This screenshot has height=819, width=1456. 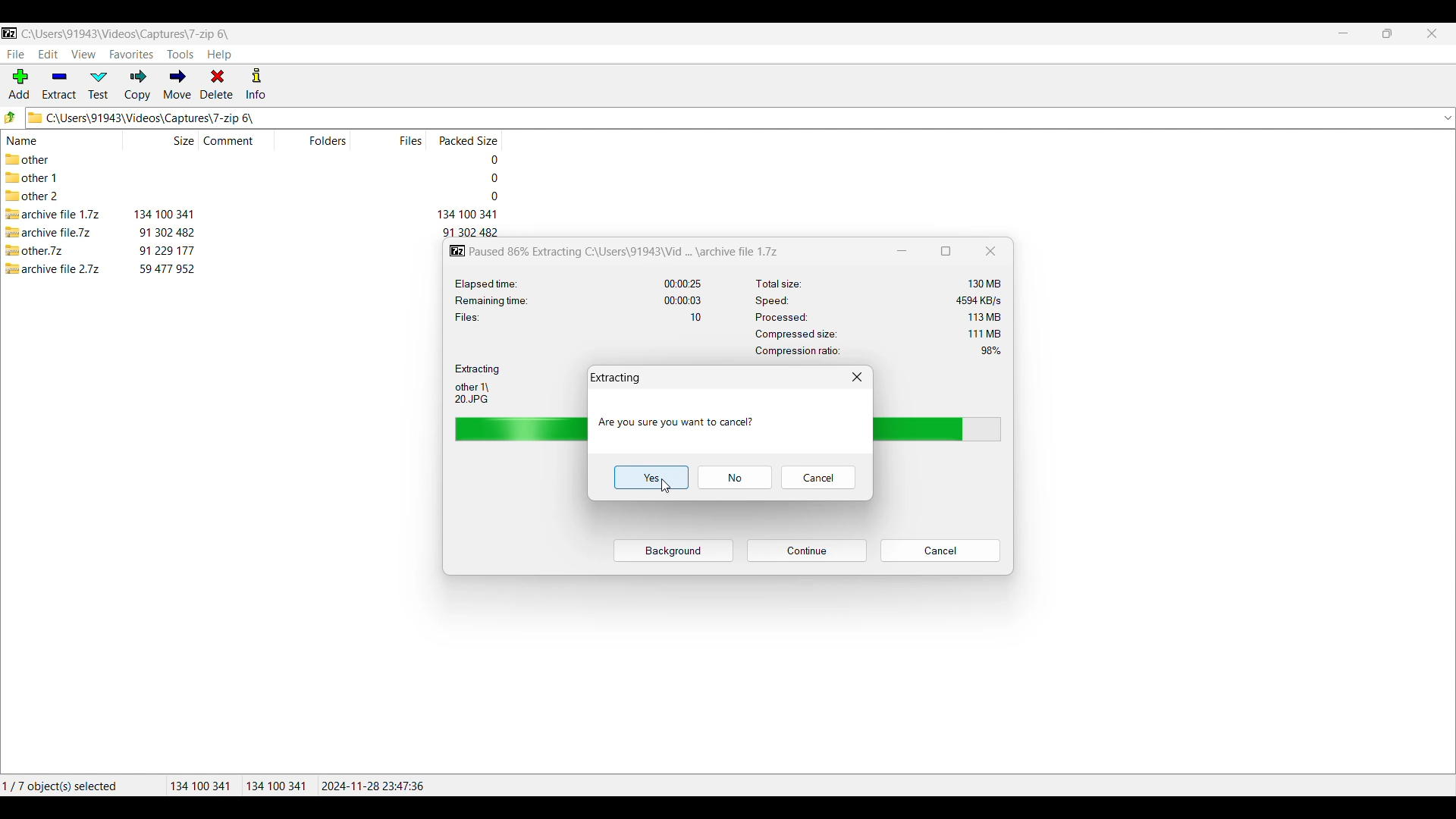 What do you see at coordinates (1344, 33) in the screenshot?
I see `Minimize` at bounding box center [1344, 33].